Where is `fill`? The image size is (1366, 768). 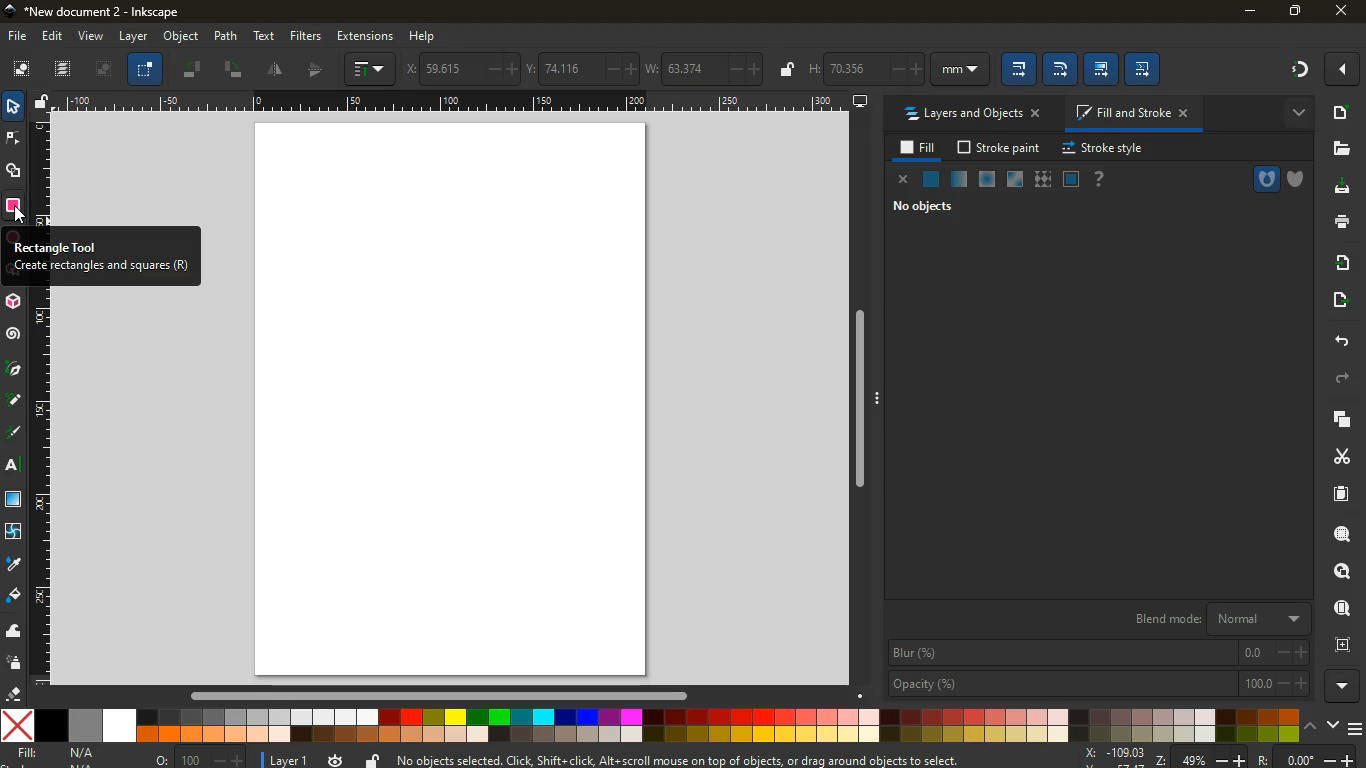
fill is located at coordinates (64, 754).